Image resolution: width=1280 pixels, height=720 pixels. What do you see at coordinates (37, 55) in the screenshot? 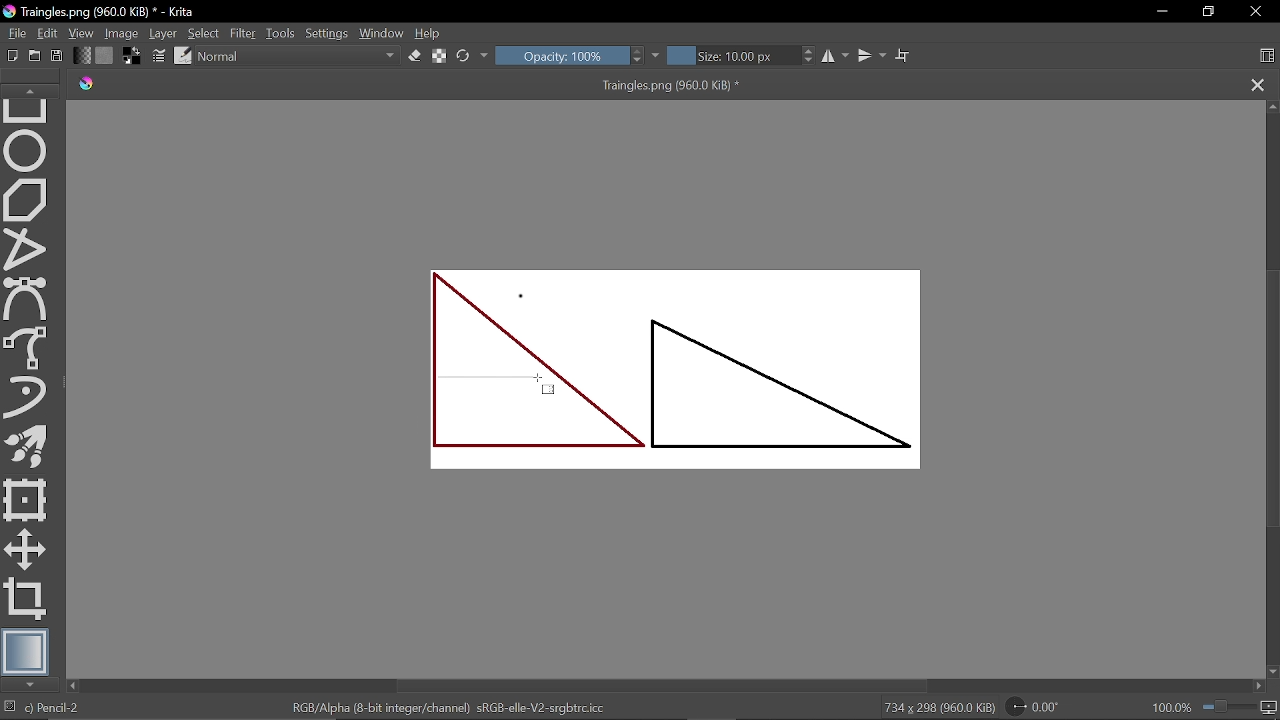
I see `Open document` at bounding box center [37, 55].